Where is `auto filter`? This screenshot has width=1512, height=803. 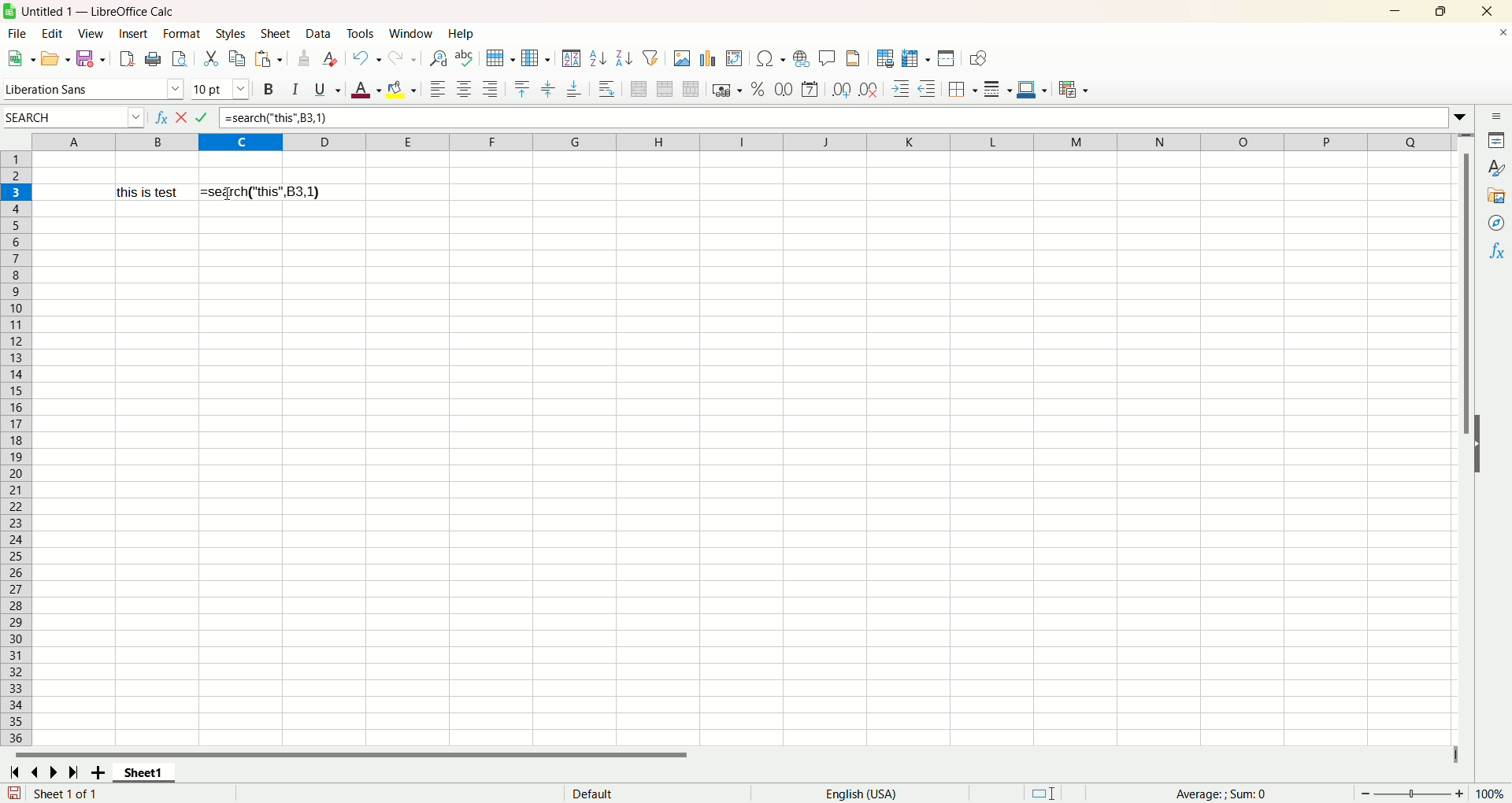 auto filter is located at coordinates (650, 56).